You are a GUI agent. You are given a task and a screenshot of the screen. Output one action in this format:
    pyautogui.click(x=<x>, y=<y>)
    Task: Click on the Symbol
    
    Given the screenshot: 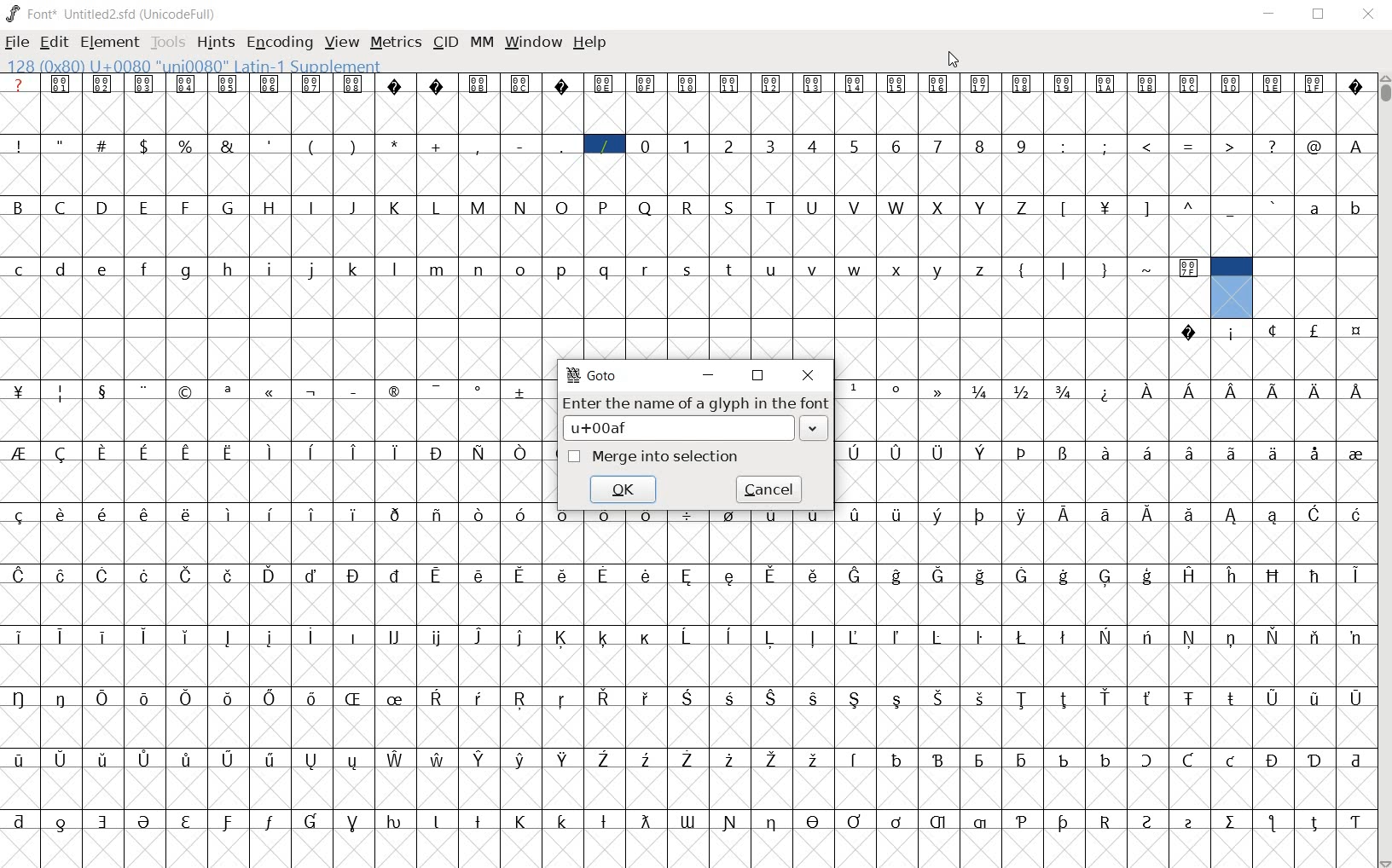 What is the action you would take?
    pyautogui.click(x=107, y=574)
    